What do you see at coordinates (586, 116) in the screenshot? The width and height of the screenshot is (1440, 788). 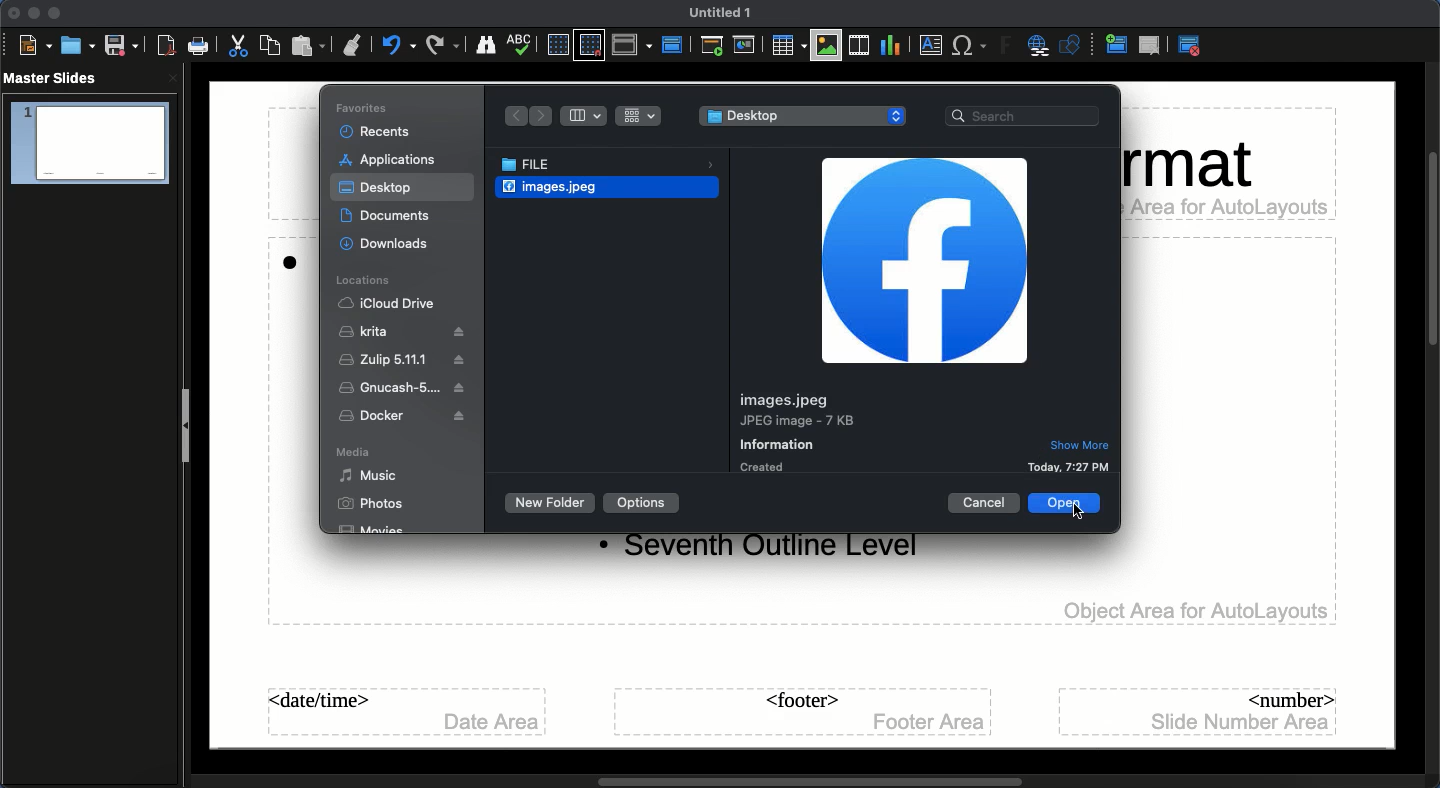 I see `Column` at bounding box center [586, 116].